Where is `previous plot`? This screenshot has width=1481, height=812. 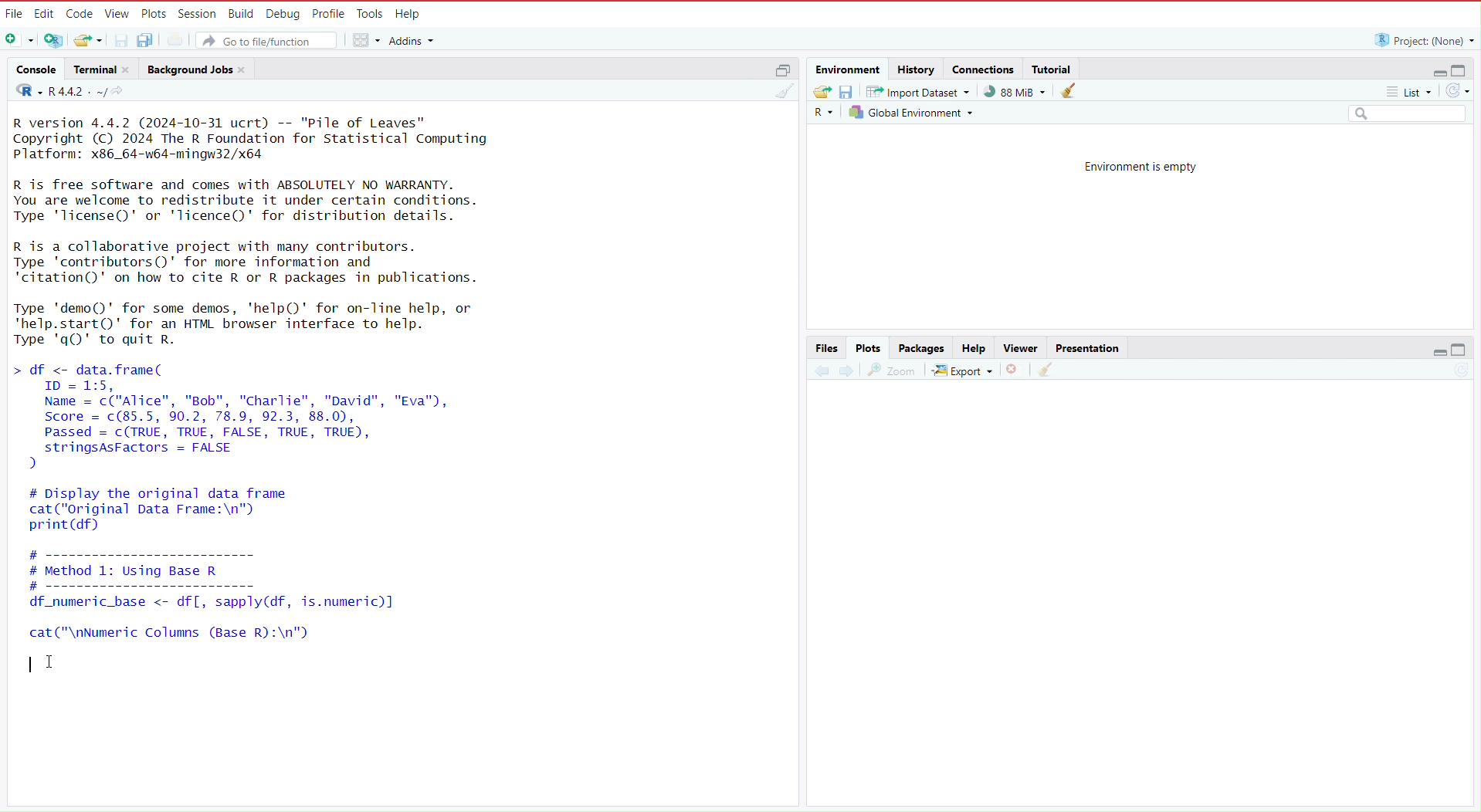 previous plot is located at coordinates (815, 371).